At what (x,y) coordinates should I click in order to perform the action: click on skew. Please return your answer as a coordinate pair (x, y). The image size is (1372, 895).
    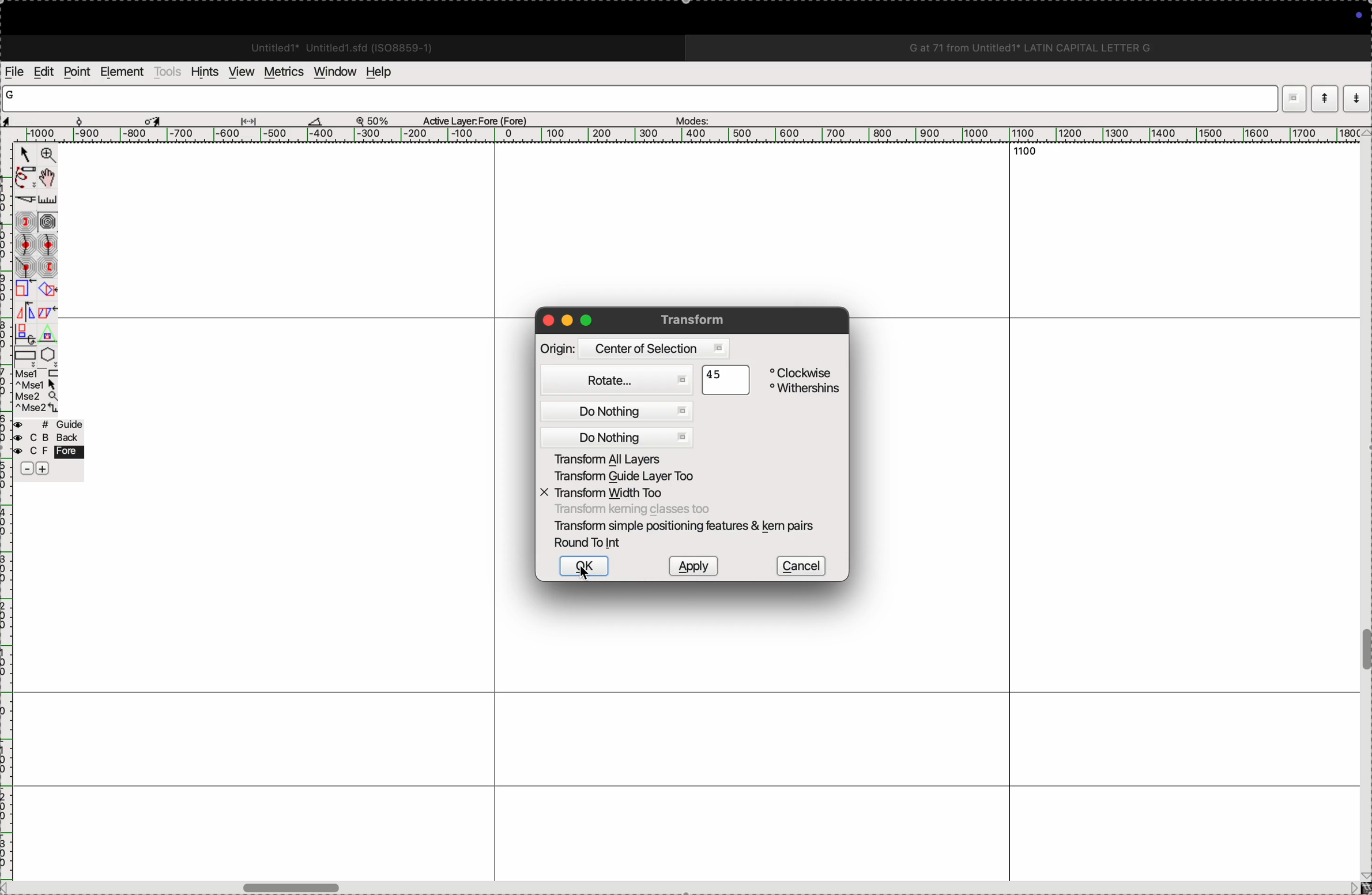
    Looking at the image, I should click on (47, 313).